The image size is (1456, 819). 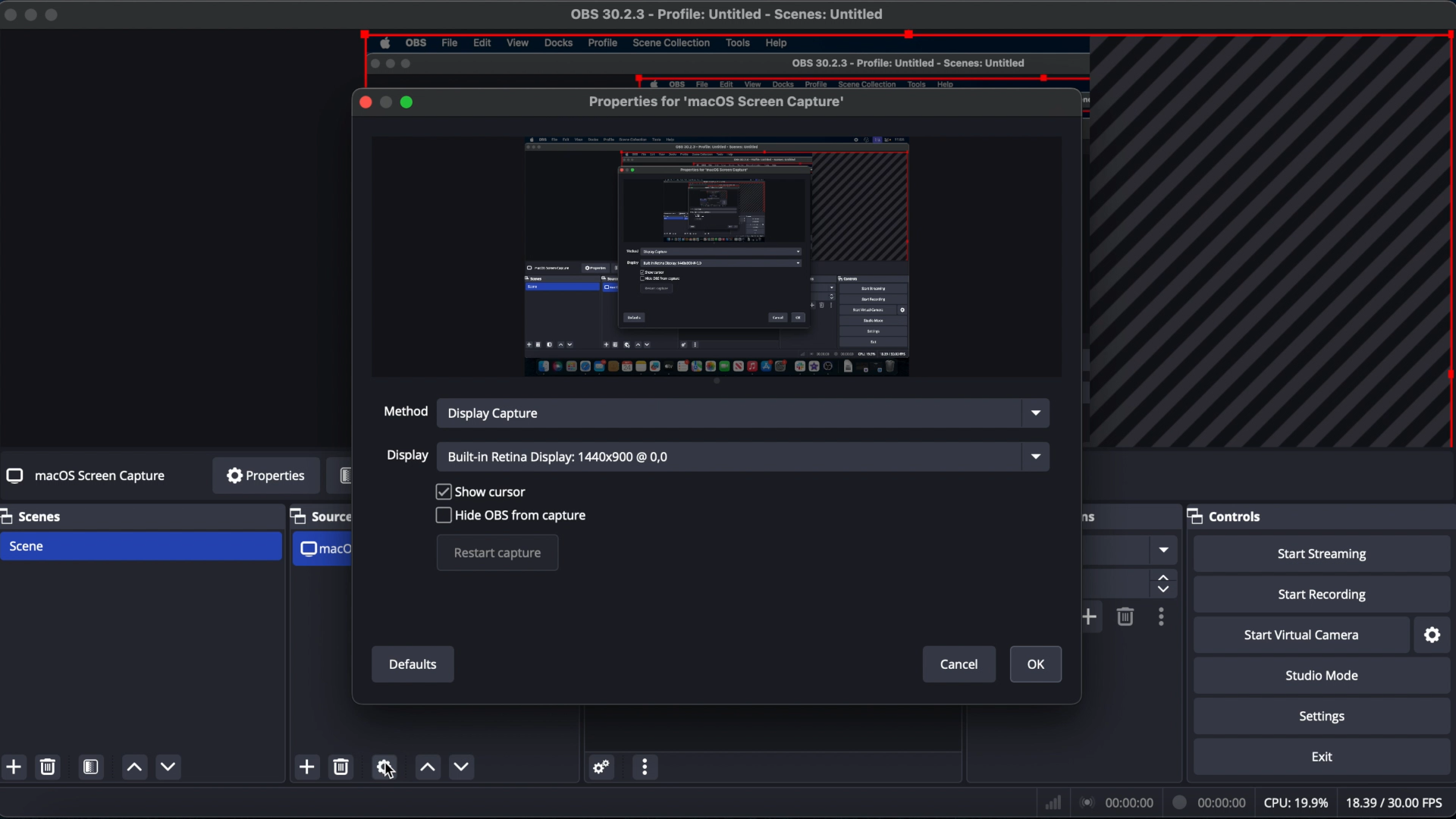 I want to click on cancel button, so click(x=958, y=664).